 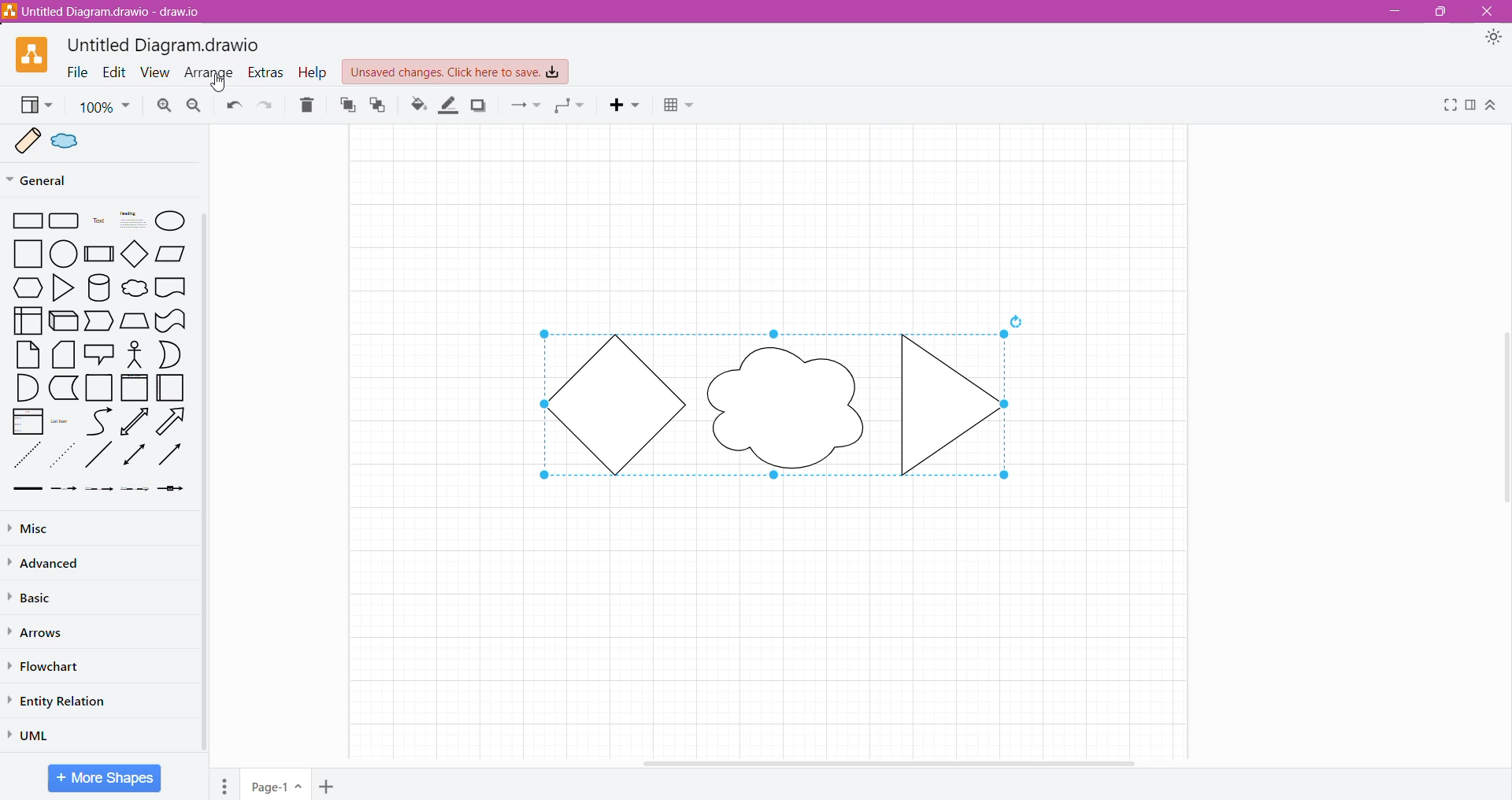 What do you see at coordinates (221, 83) in the screenshot?
I see `CURSOR` at bounding box center [221, 83].